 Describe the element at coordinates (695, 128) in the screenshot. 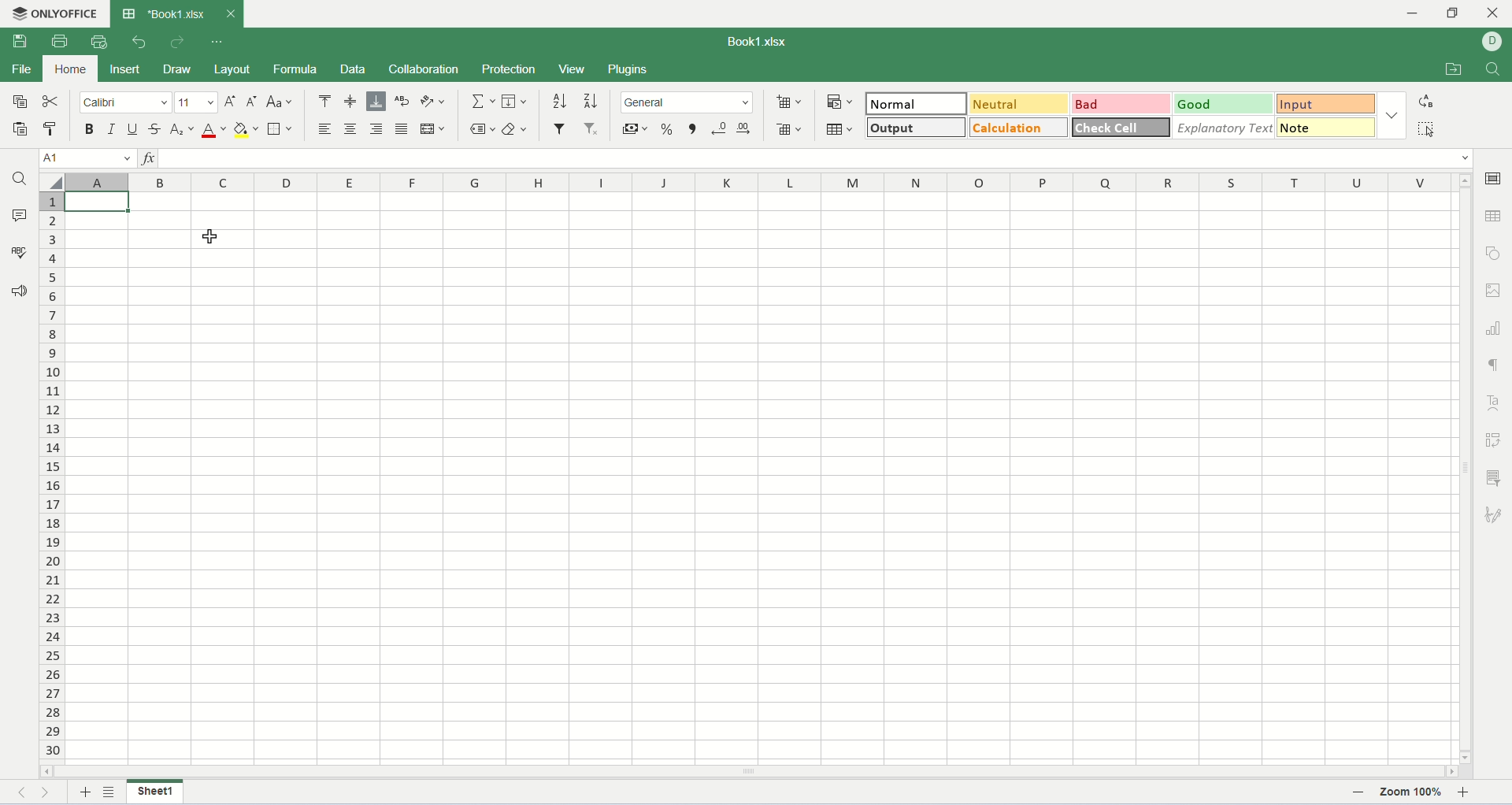

I see `comma style` at that location.